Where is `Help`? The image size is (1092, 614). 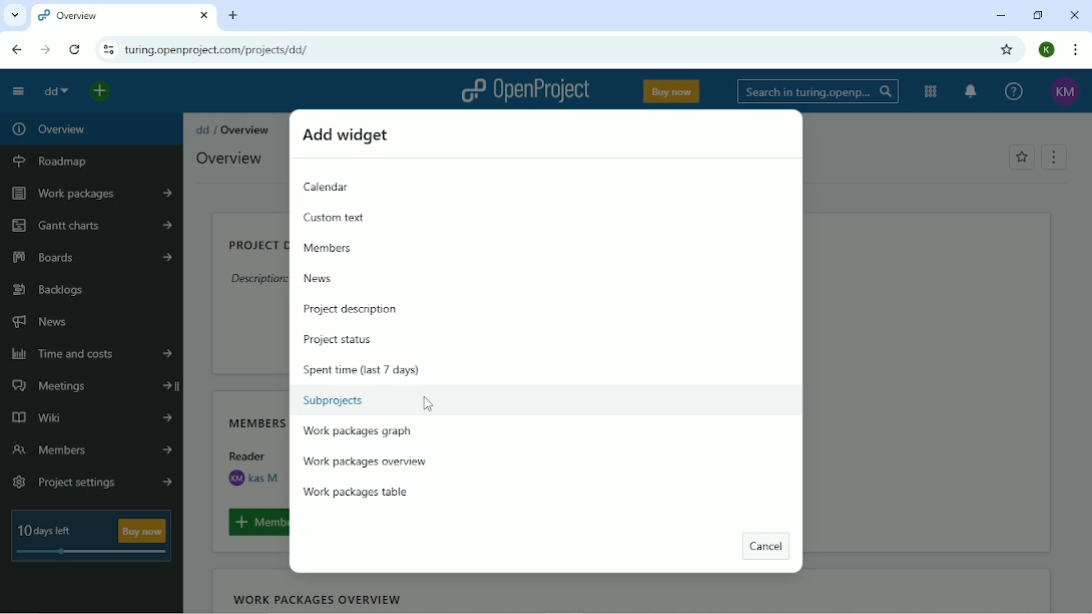 Help is located at coordinates (1014, 90).